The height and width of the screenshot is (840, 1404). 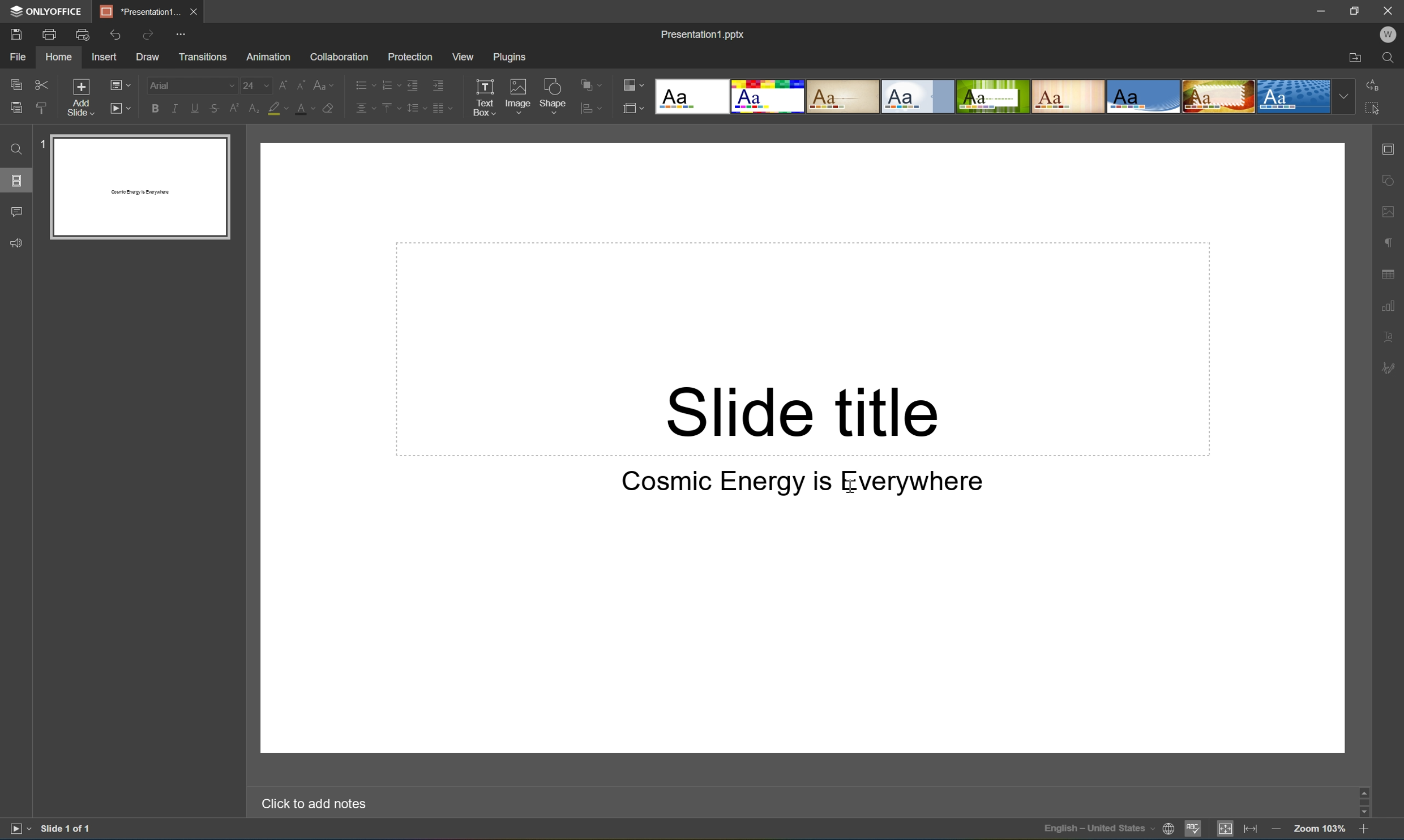 What do you see at coordinates (119, 108) in the screenshot?
I see `Start layout` at bounding box center [119, 108].